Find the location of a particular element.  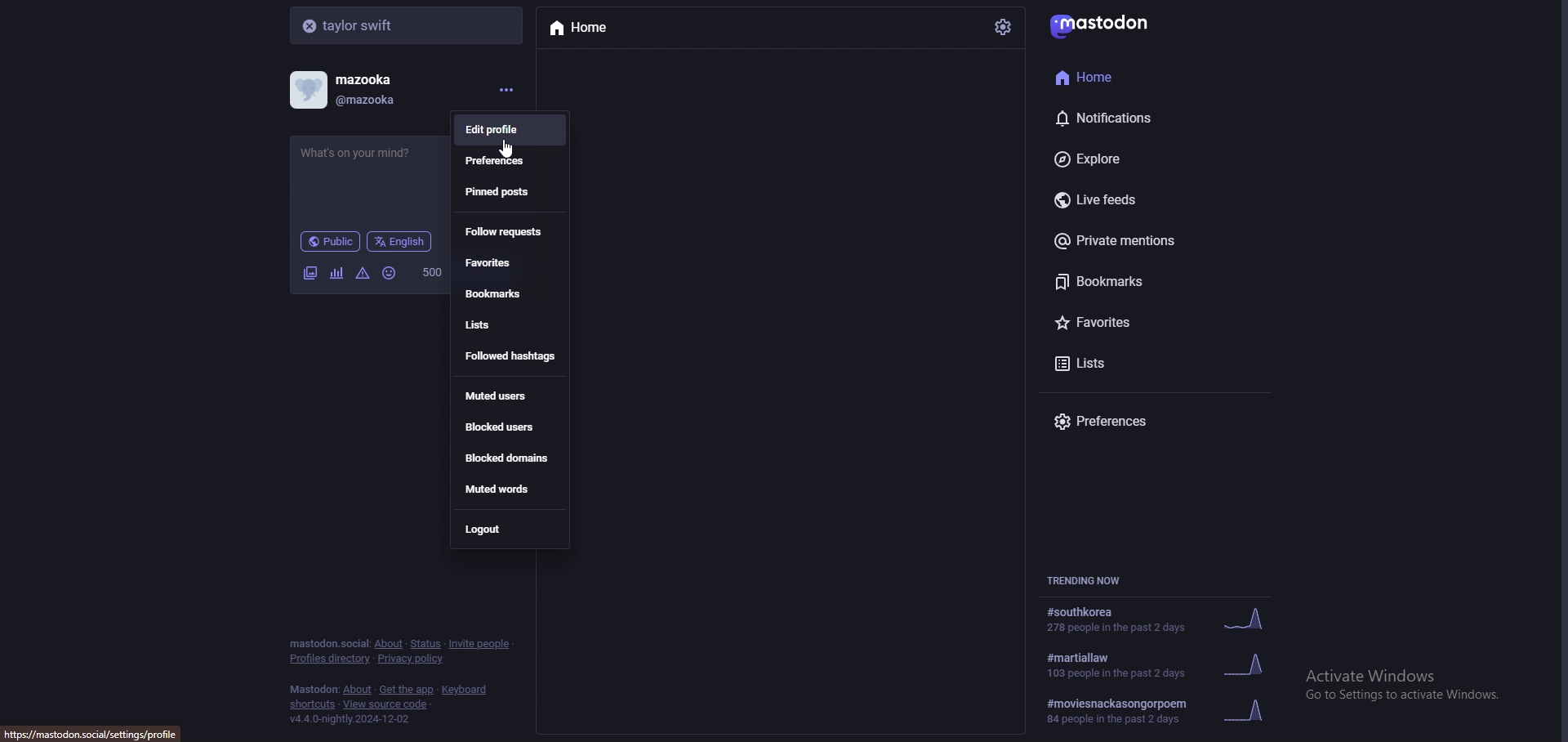

search bar is located at coordinates (408, 25).